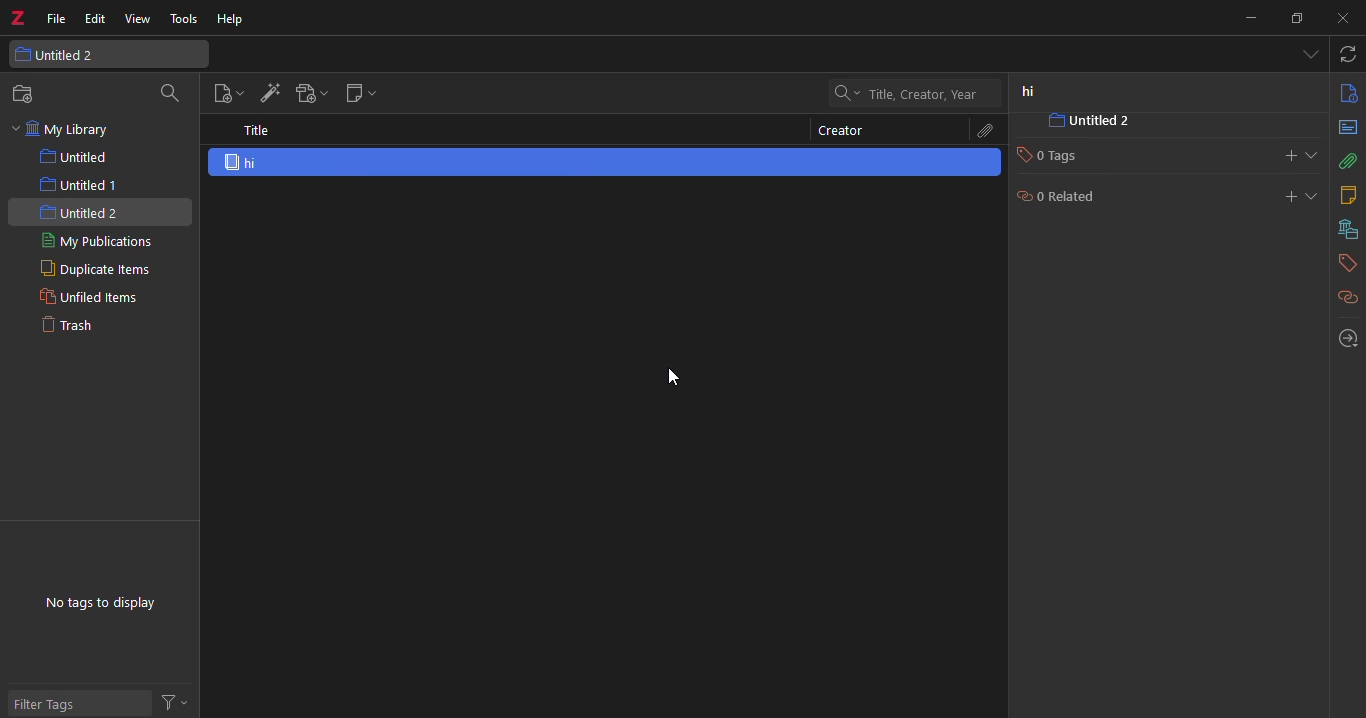 The height and width of the screenshot is (718, 1366). Describe the element at coordinates (1349, 194) in the screenshot. I see `notes` at that location.